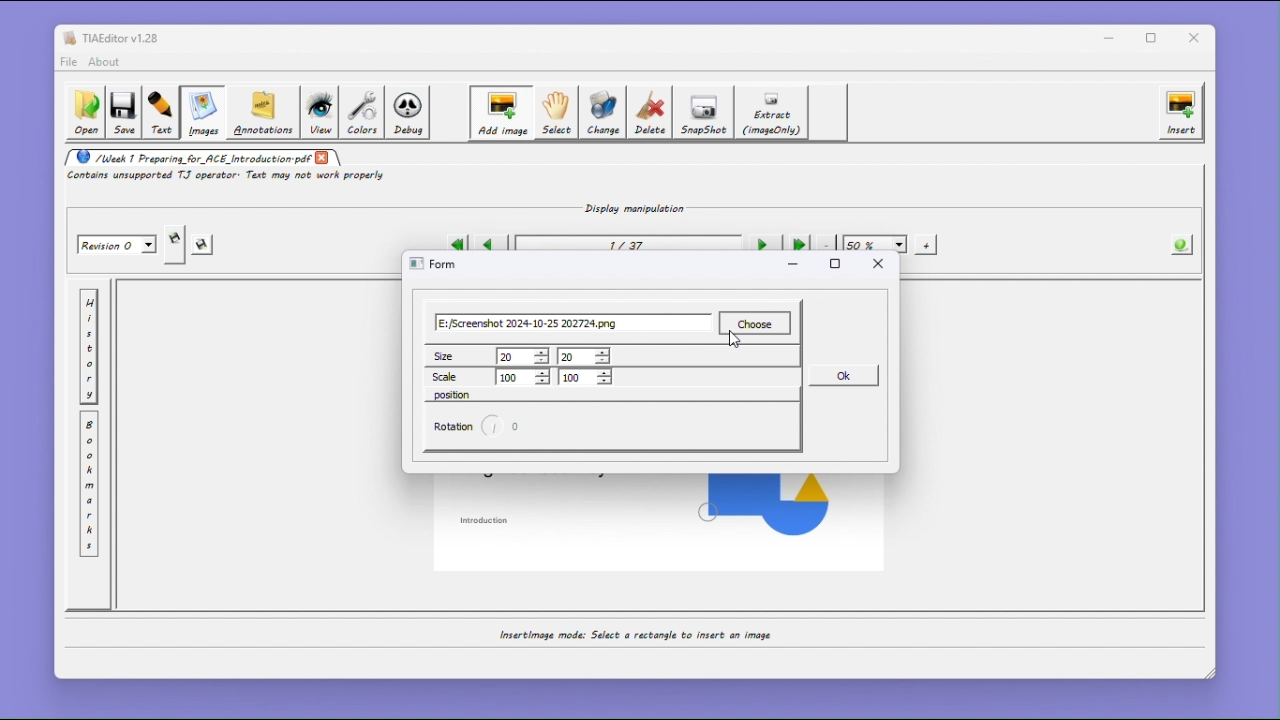 This screenshot has width=1280, height=720. Describe the element at coordinates (410, 113) in the screenshot. I see `Debug` at that location.